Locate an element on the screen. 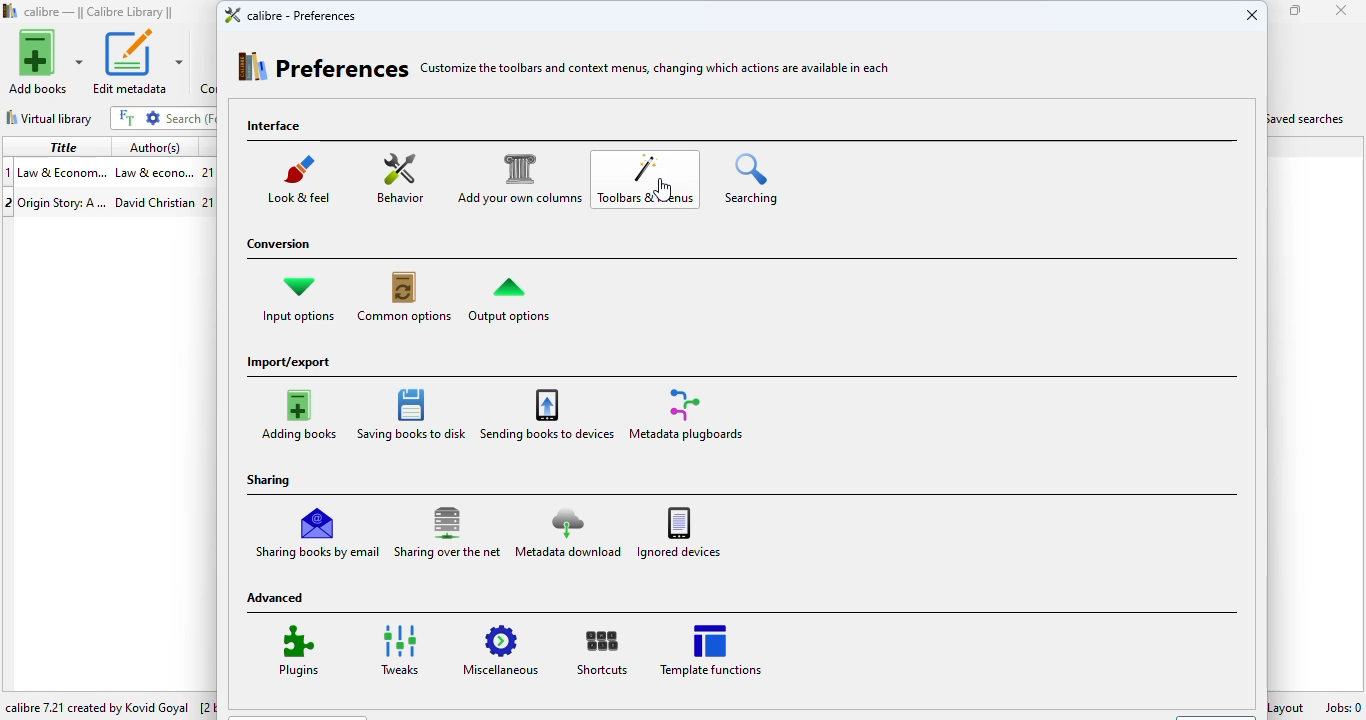  conversion is located at coordinates (277, 246).